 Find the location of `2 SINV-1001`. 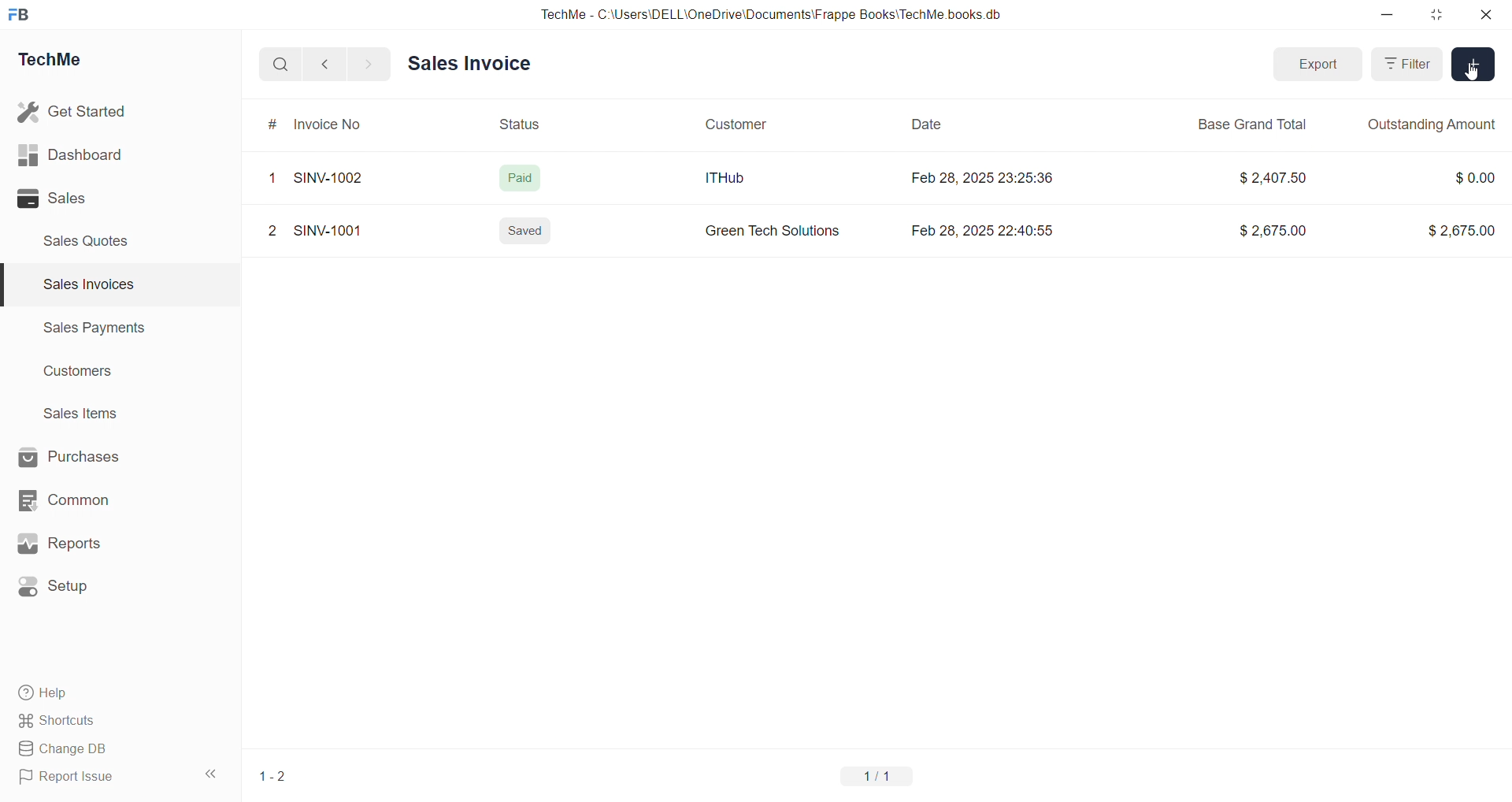

2 SINV-1001 is located at coordinates (320, 232).